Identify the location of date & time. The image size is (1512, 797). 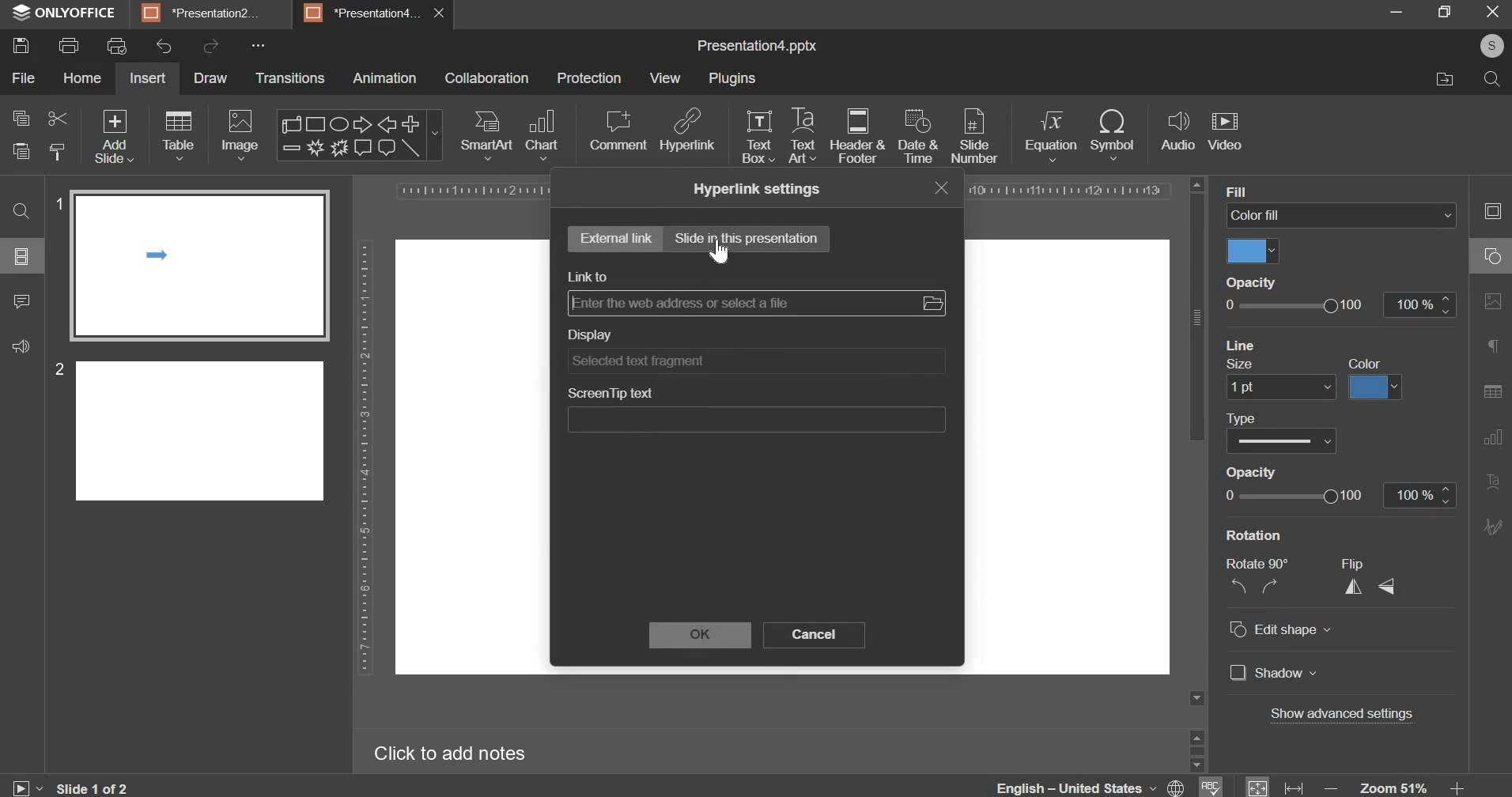
(920, 138).